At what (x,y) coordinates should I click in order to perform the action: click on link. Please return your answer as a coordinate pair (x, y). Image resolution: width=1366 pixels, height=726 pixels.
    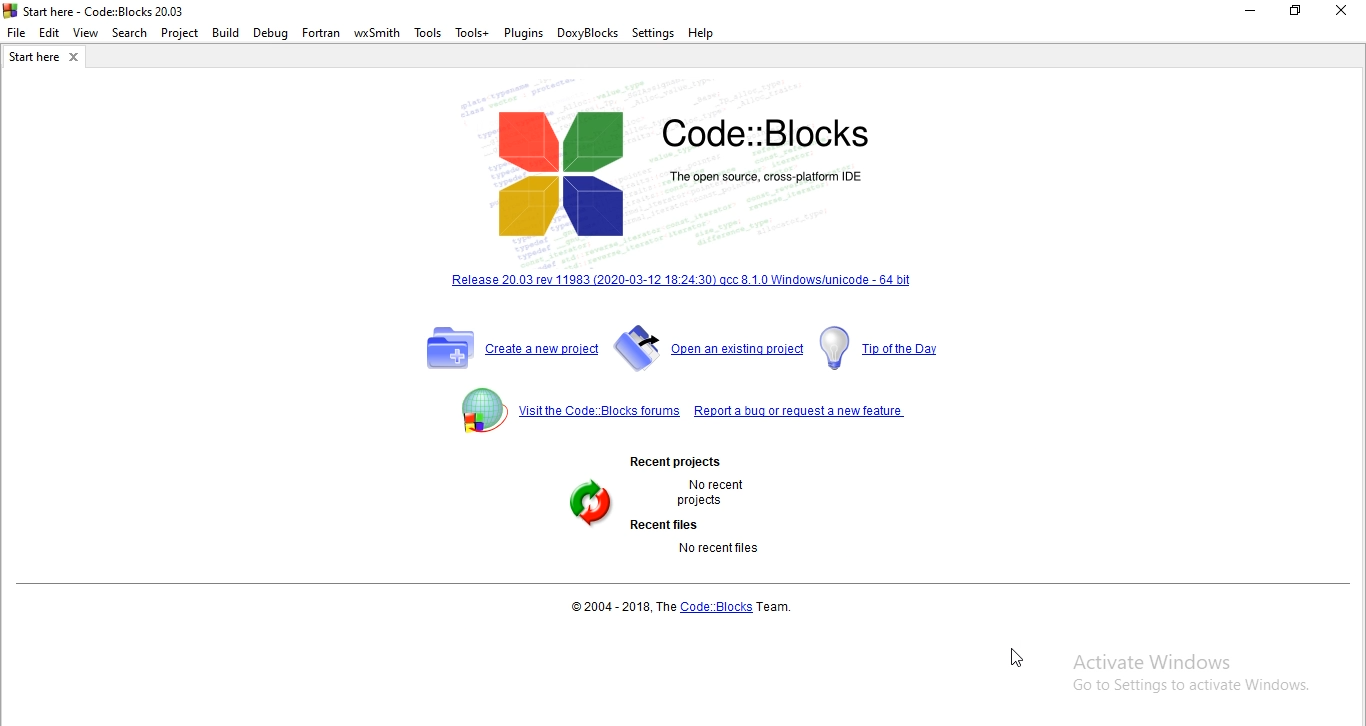
    Looking at the image, I should click on (599, 409).